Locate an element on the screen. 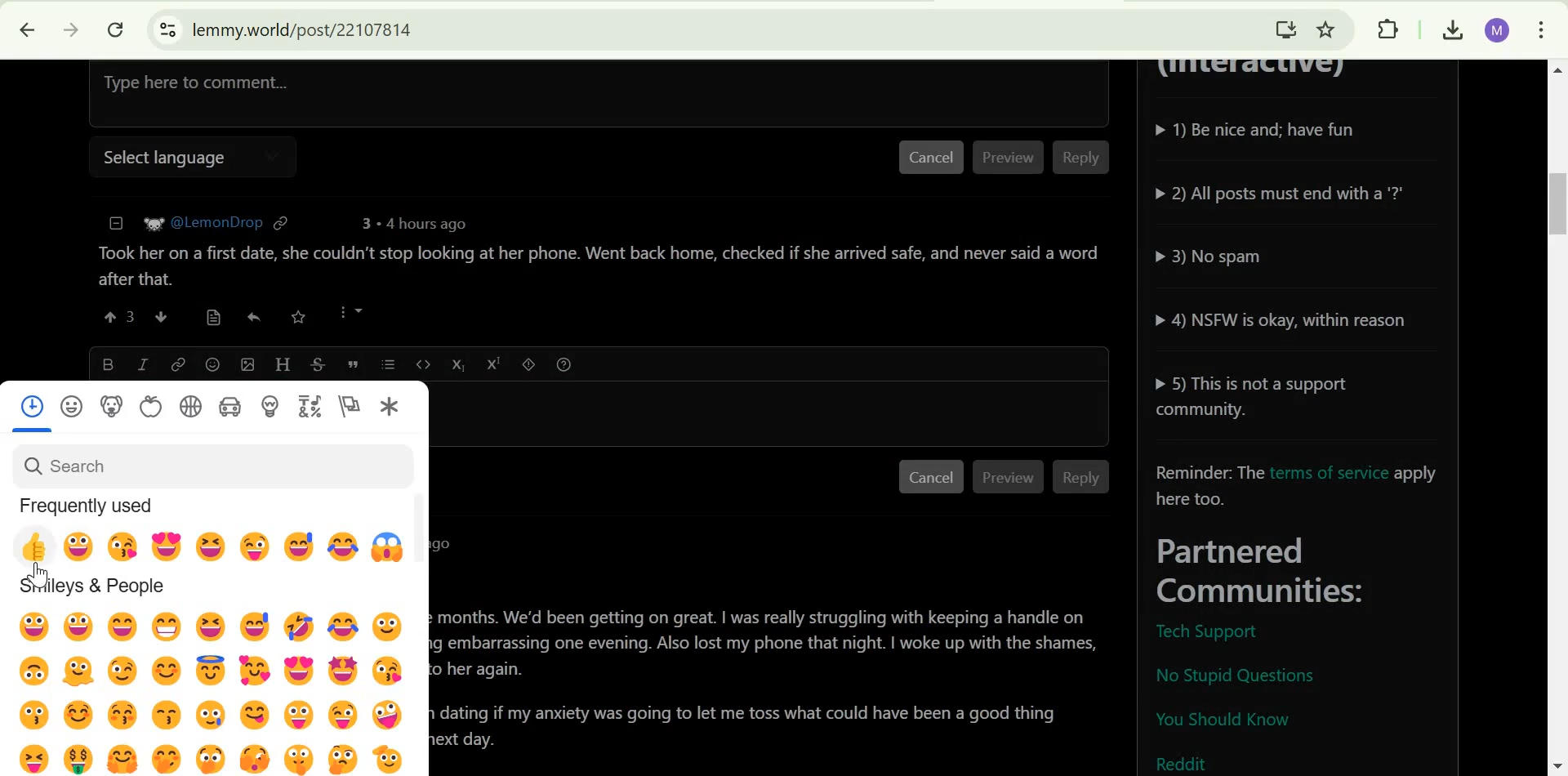  customize and control Google Chrome is located at coordinates (1542, 32).